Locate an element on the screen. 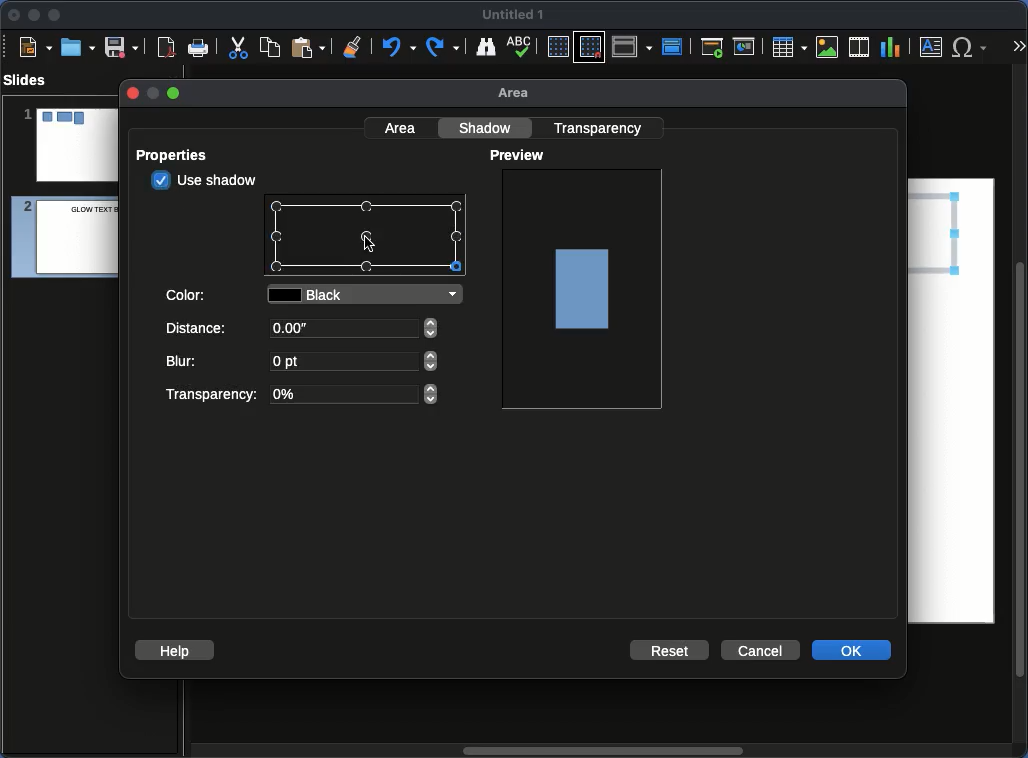 The width and height of the screenshot is (1028, 758). Undo is located at coordinates (397, 47).